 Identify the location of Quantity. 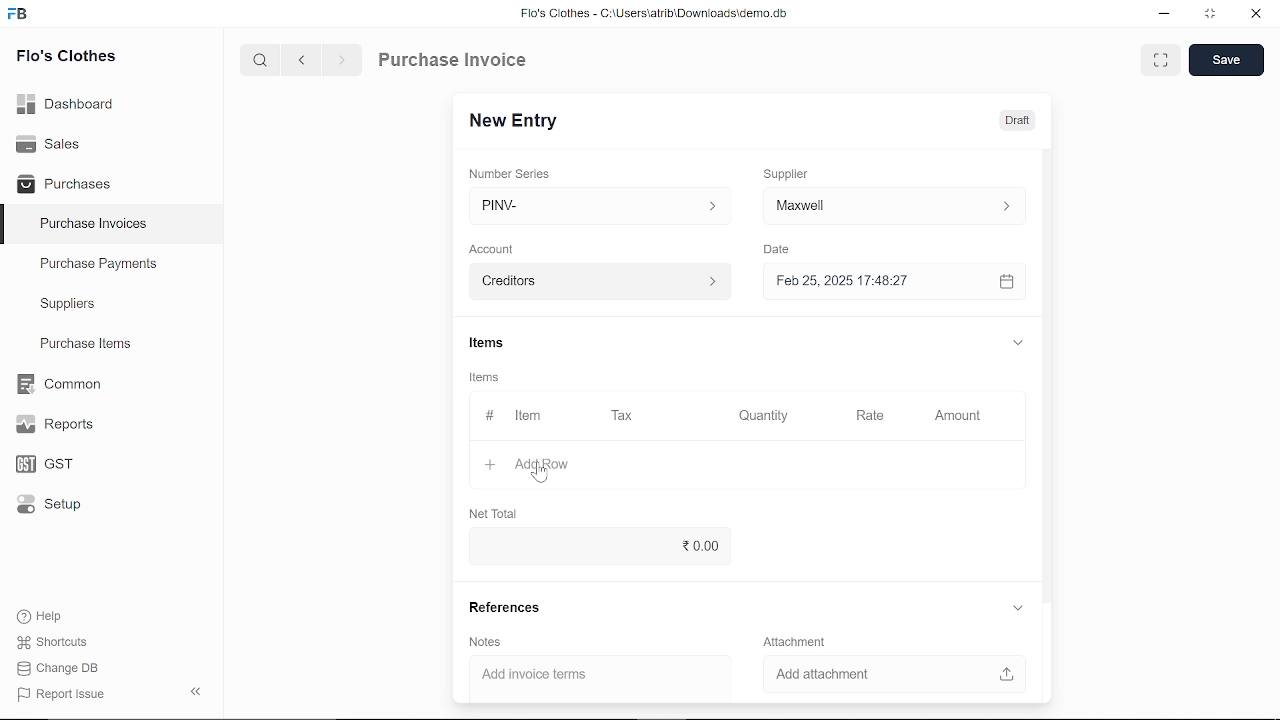
(766, 415).